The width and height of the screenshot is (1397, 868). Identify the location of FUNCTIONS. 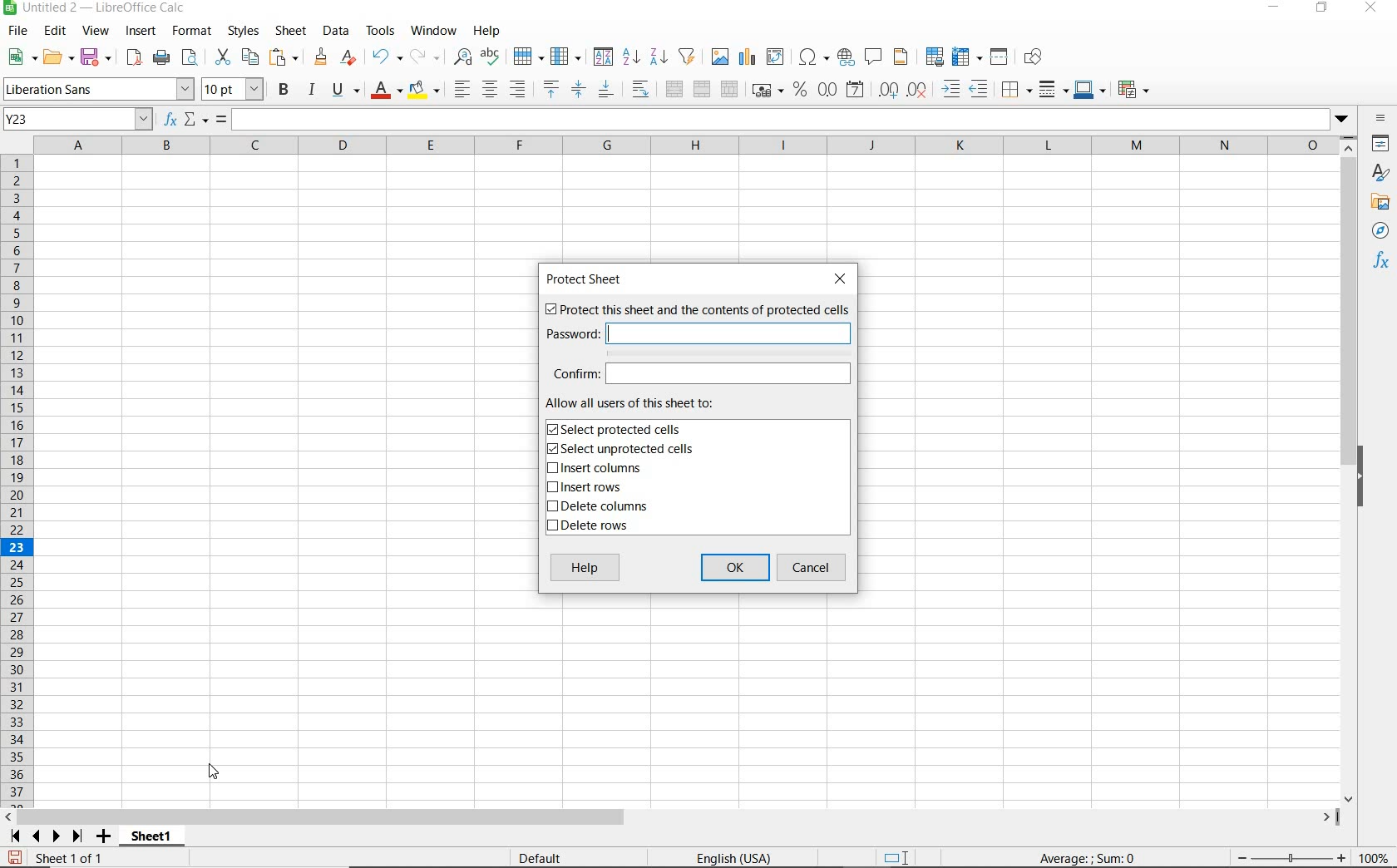
(1382, 263).